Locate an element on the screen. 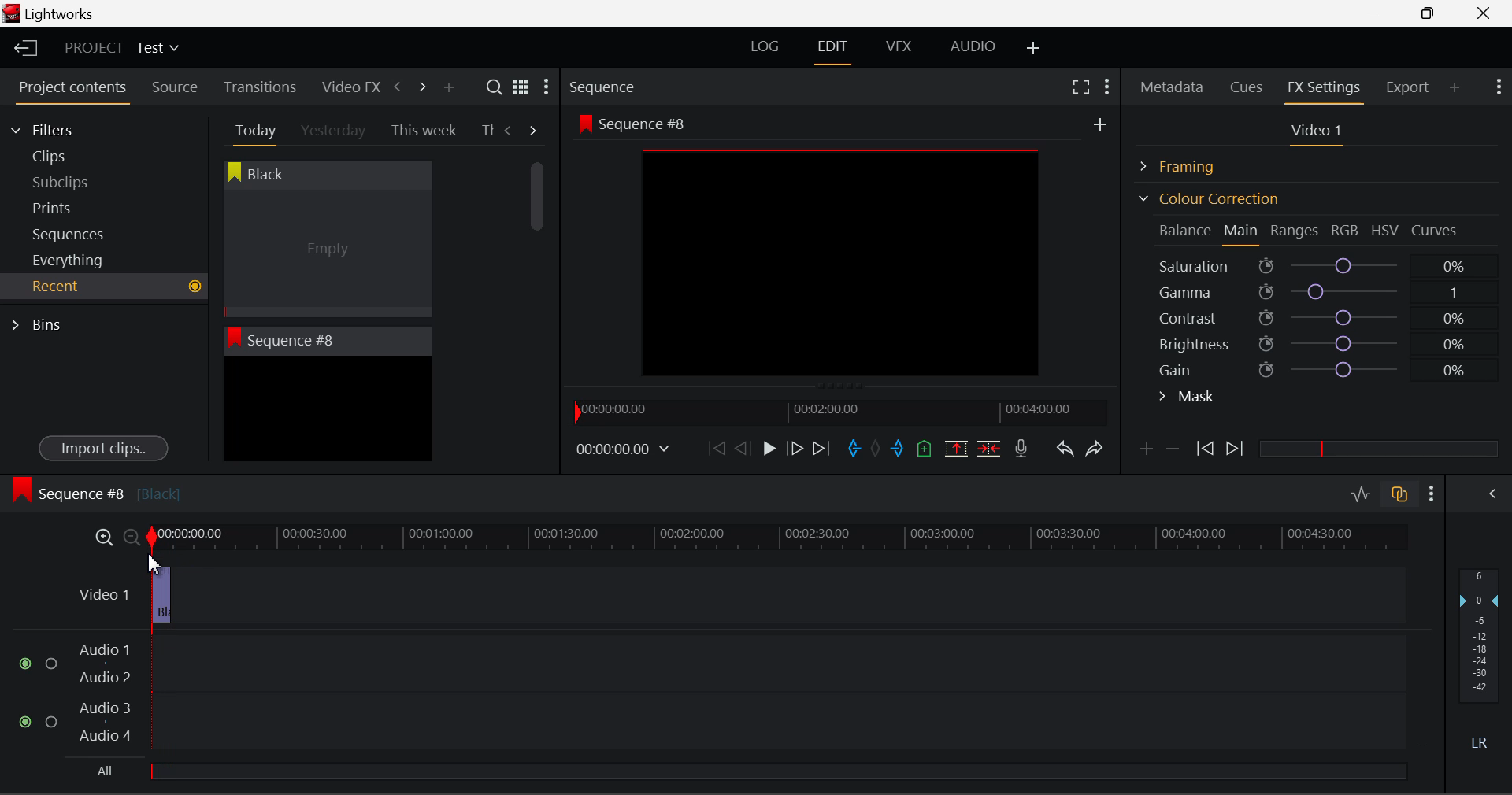 This screenshot has height=795, width=1512. Undo is located at coordinates (1064, 452).